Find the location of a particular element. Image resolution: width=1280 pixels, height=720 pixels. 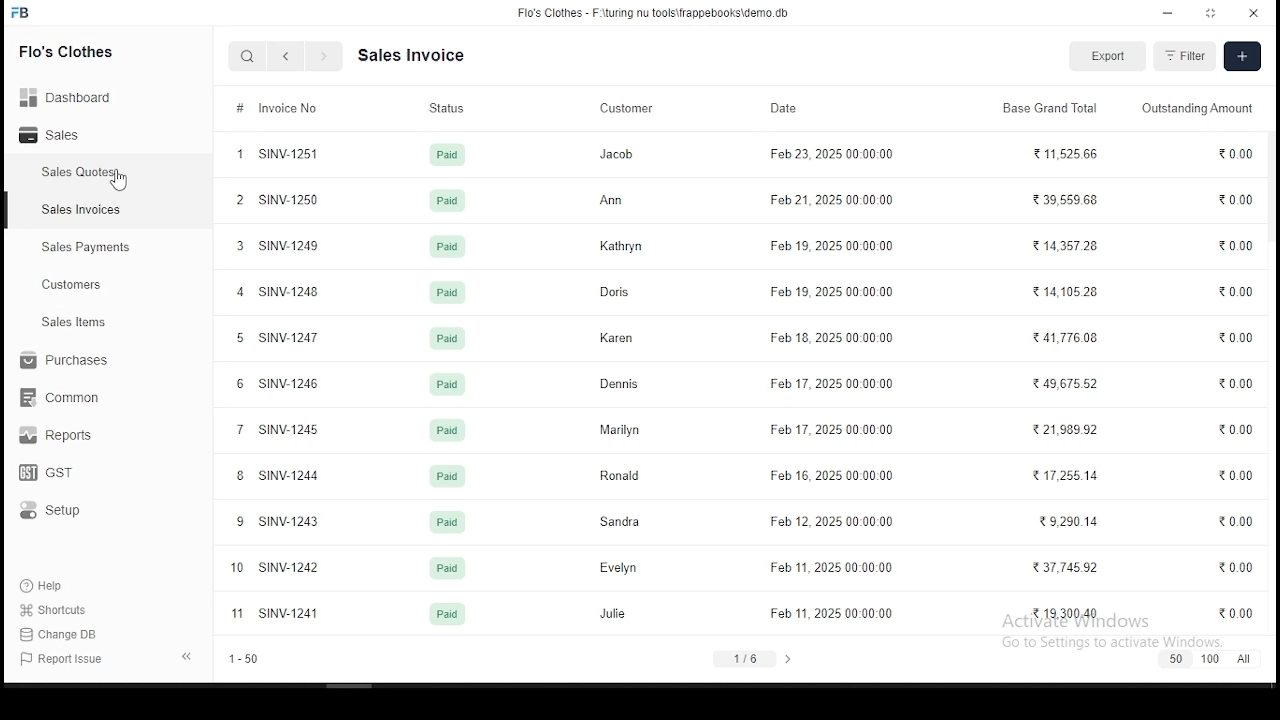

Dennis is located at coordinates (618, 380).